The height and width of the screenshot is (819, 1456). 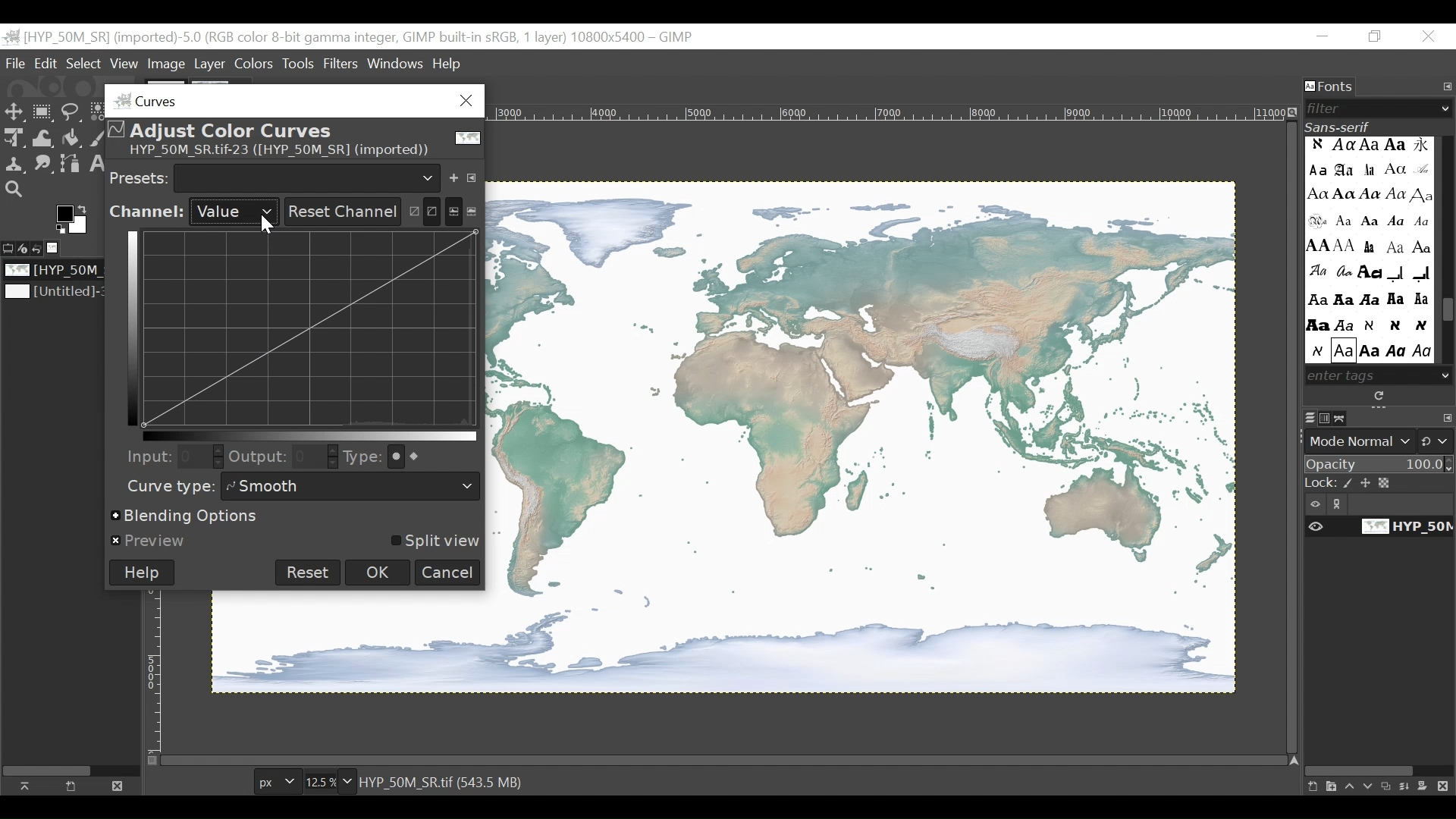 What do you see at coordinates (75, 219) in the screenshot?
I see `Active foreground/background` at bounding box center [75, 219].